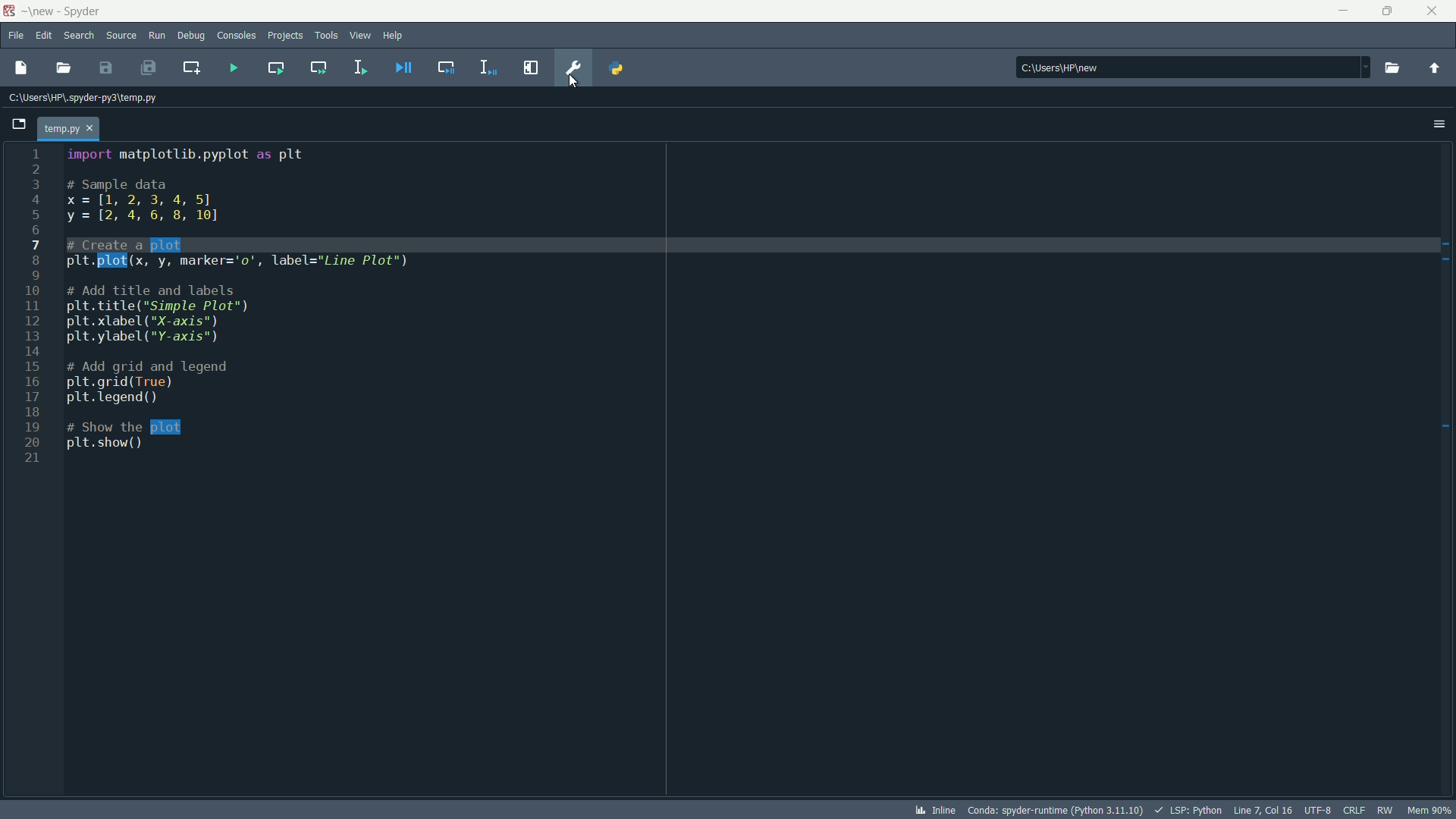 This screenshot has width=1456, height=819. Describe the element at coordinates (286, 36) in the screenshot. I see `projects` at that location.